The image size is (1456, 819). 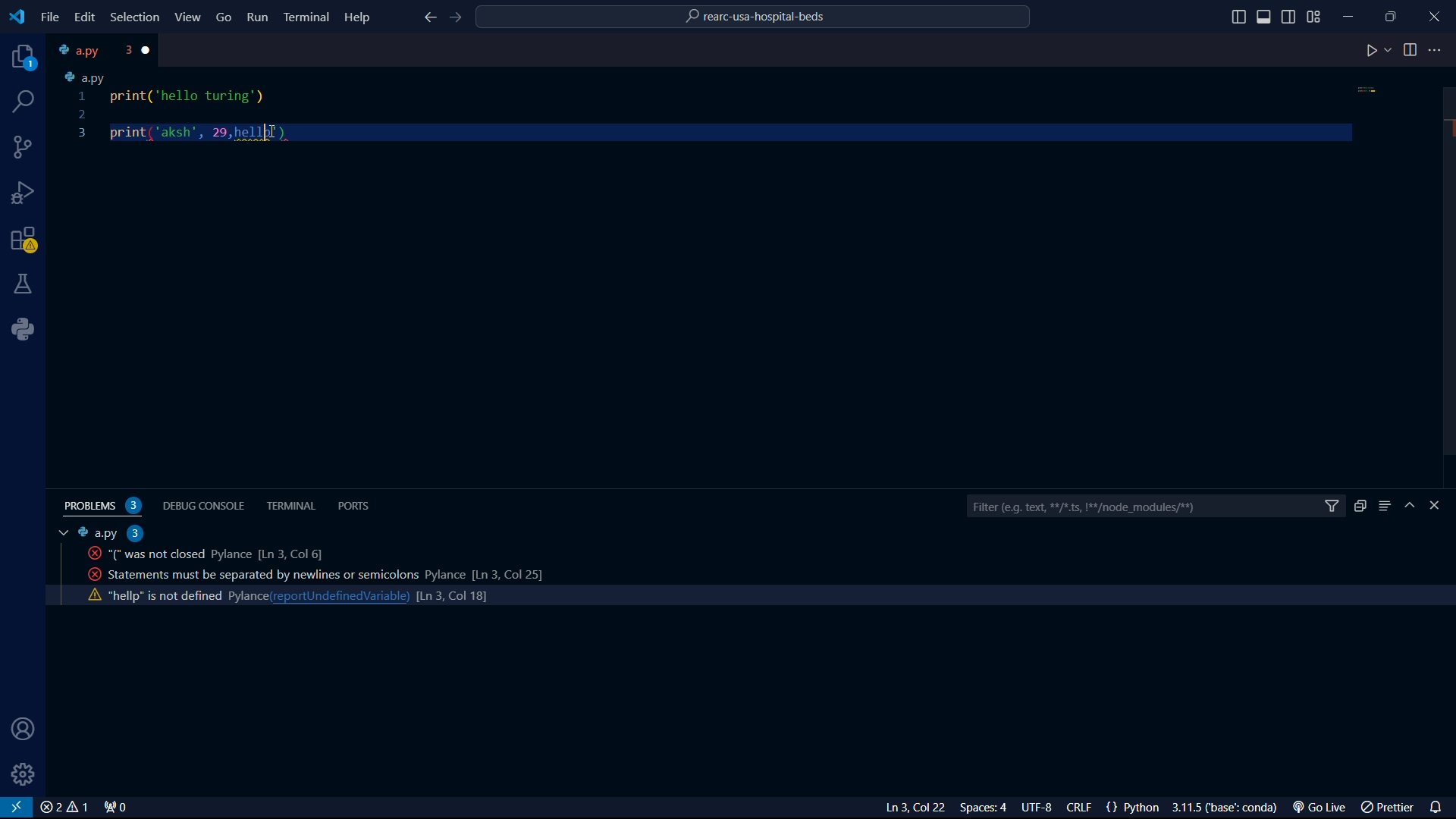 I want to click on back, so click(x=428, y=19).